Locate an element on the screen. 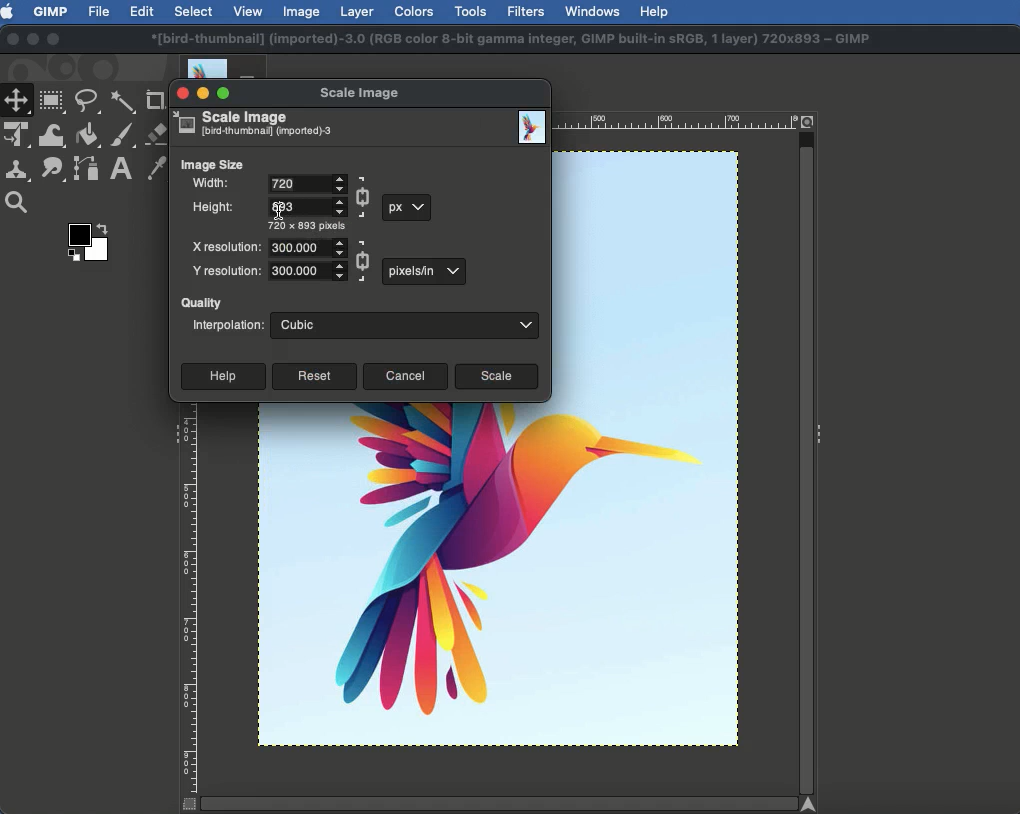 This screenshot has width=1020, height=814. Y resolution is located at coordinates (228, 270).